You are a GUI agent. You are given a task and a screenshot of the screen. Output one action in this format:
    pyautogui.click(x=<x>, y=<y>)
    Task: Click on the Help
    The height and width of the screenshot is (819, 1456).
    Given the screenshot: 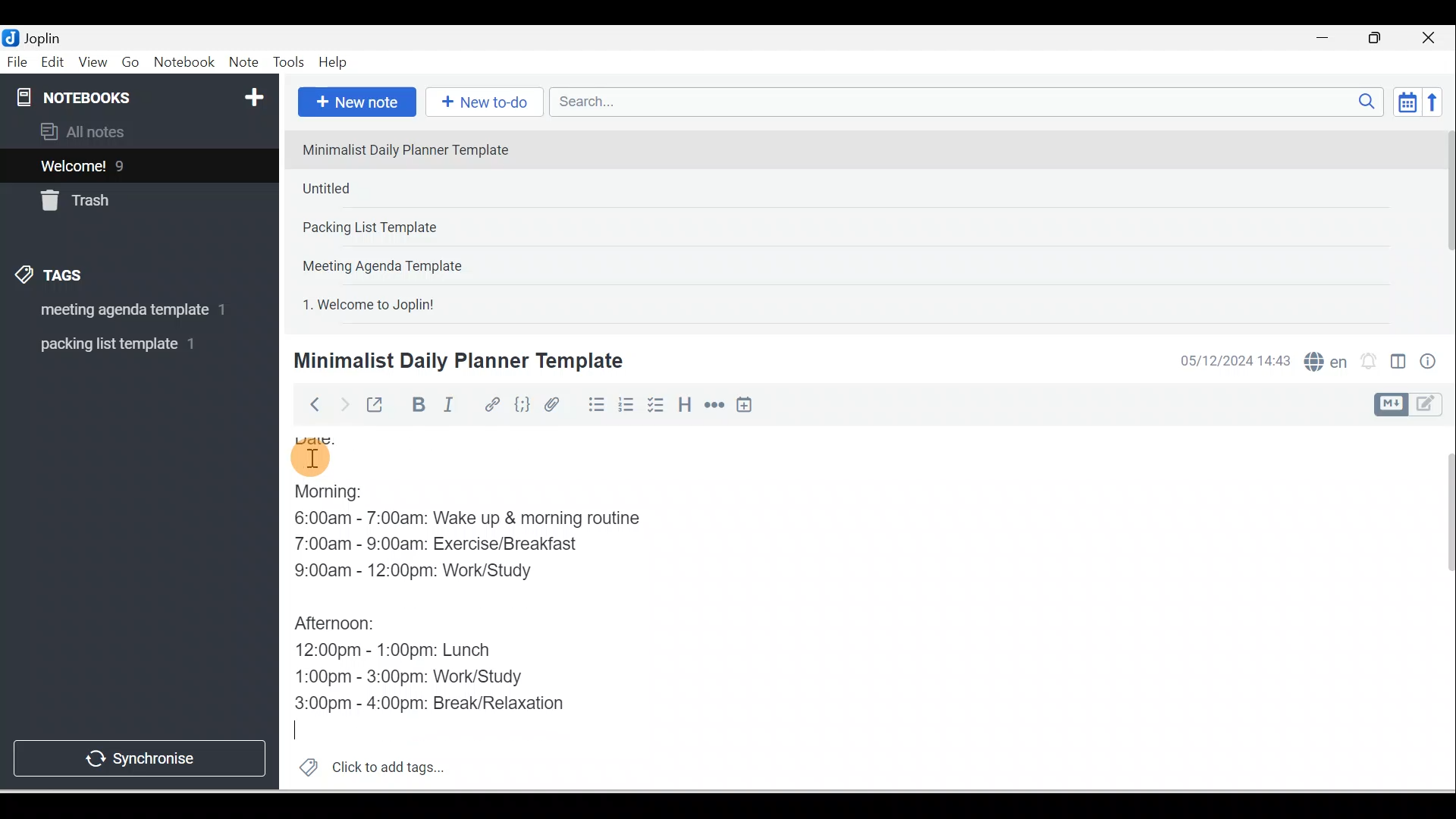 What is the action you would take?
    pyautogui.click(x=334, y=63)
    